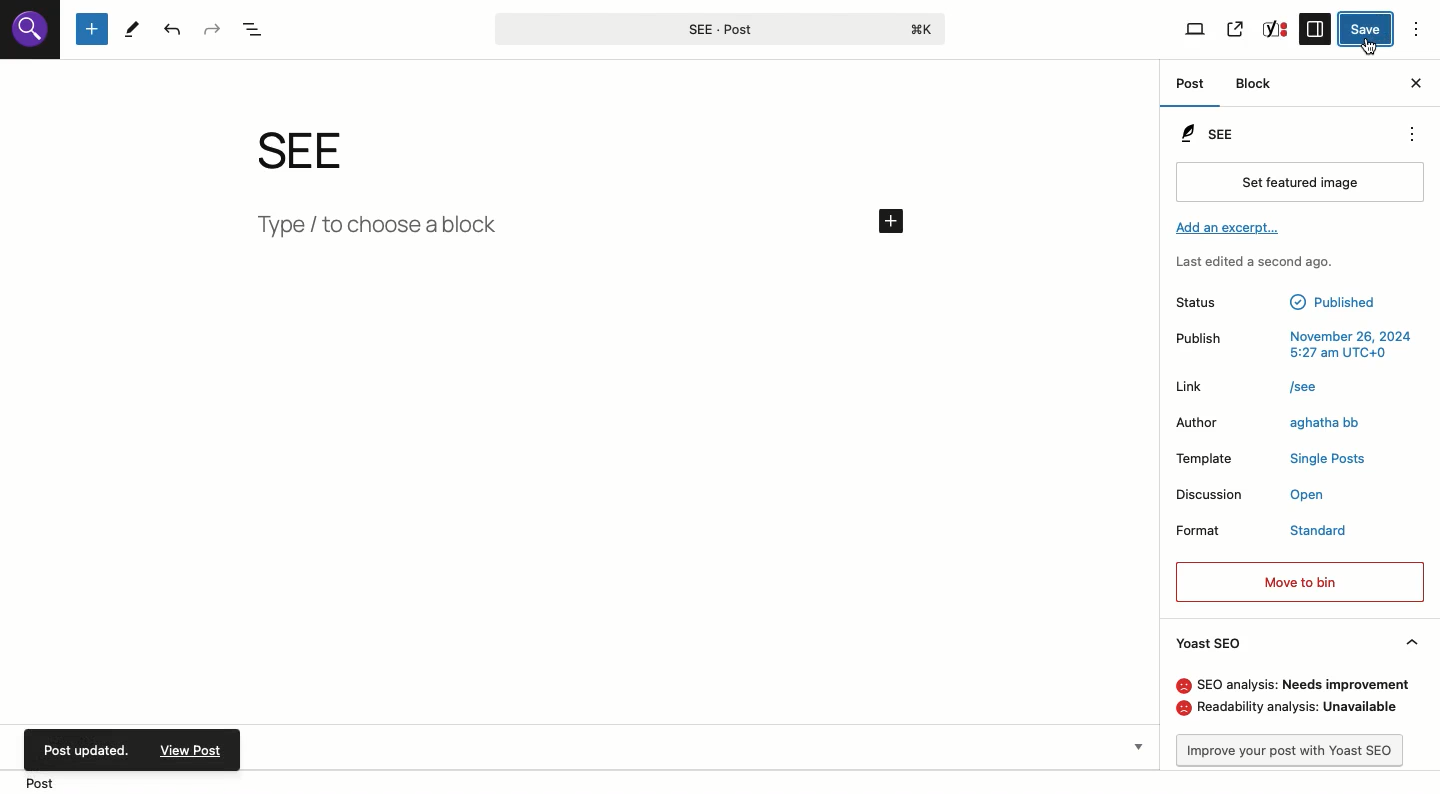  I want to click on Undo, so click(174, 30).